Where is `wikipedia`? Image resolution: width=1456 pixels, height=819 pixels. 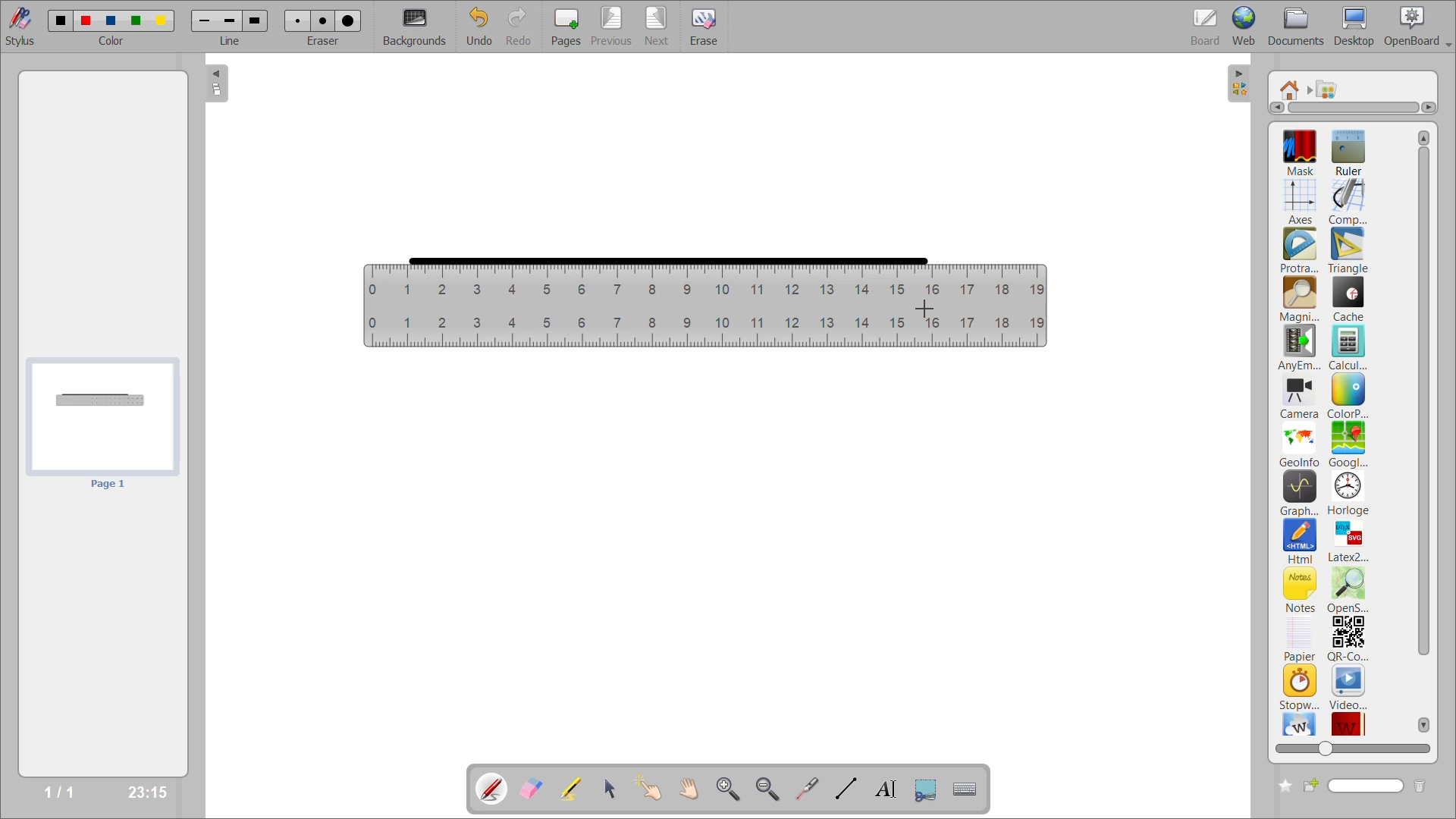 wikipedia is located at coordinates (1299, 723).